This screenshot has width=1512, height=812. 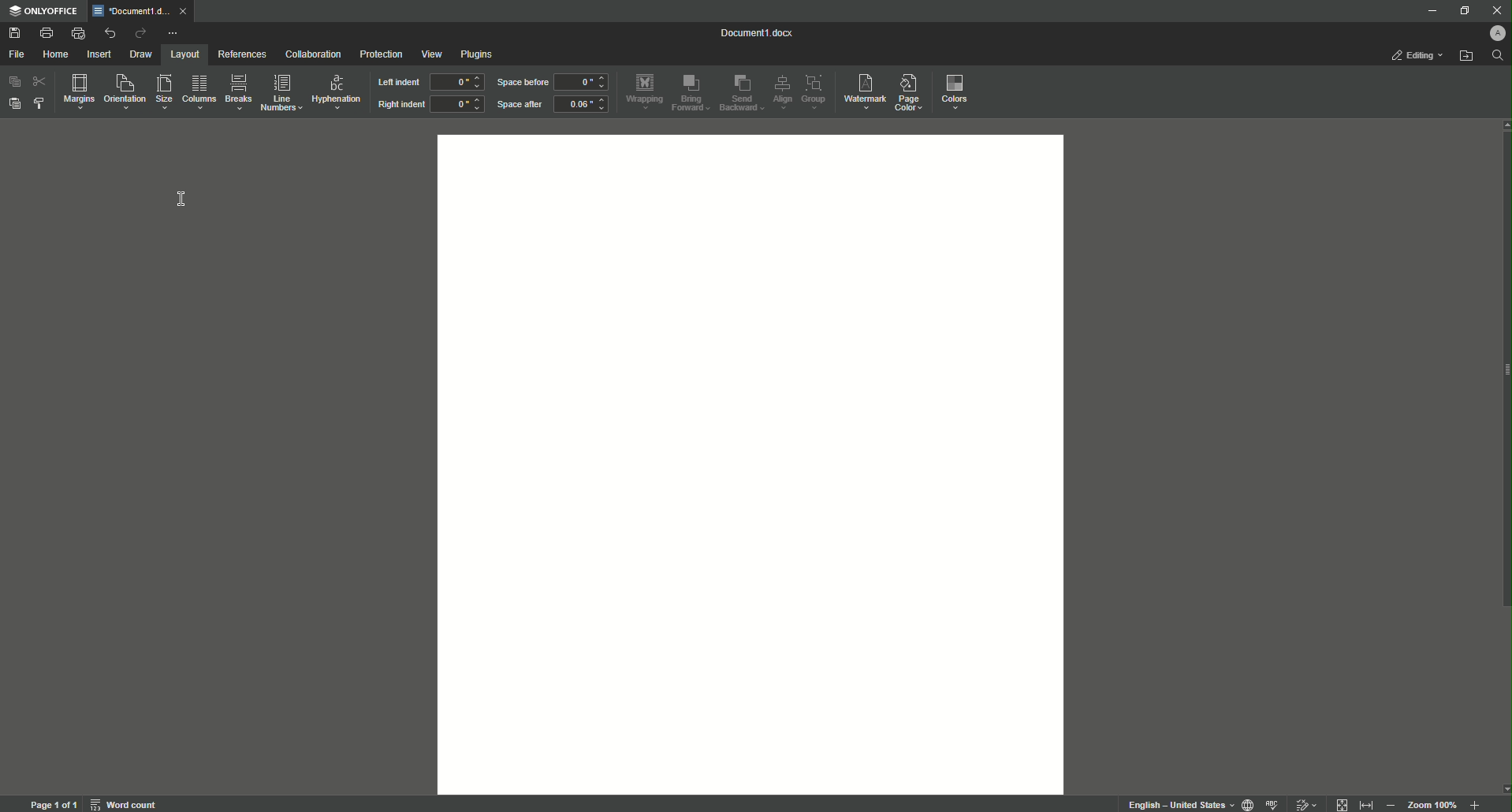 What do you see at coordinates (957, 92) in the screenshot?
I see `Colors` at bounding box center [957, 92].